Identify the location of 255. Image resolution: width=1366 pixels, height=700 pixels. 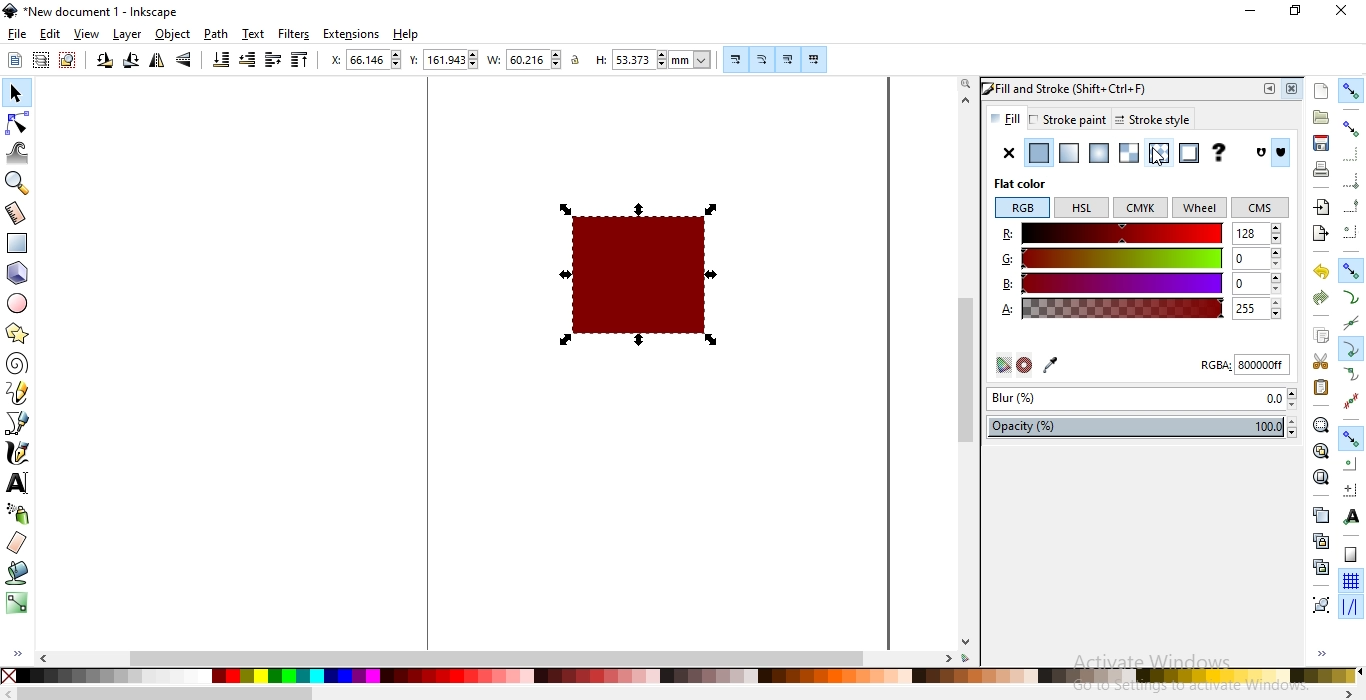
(1256, 308).